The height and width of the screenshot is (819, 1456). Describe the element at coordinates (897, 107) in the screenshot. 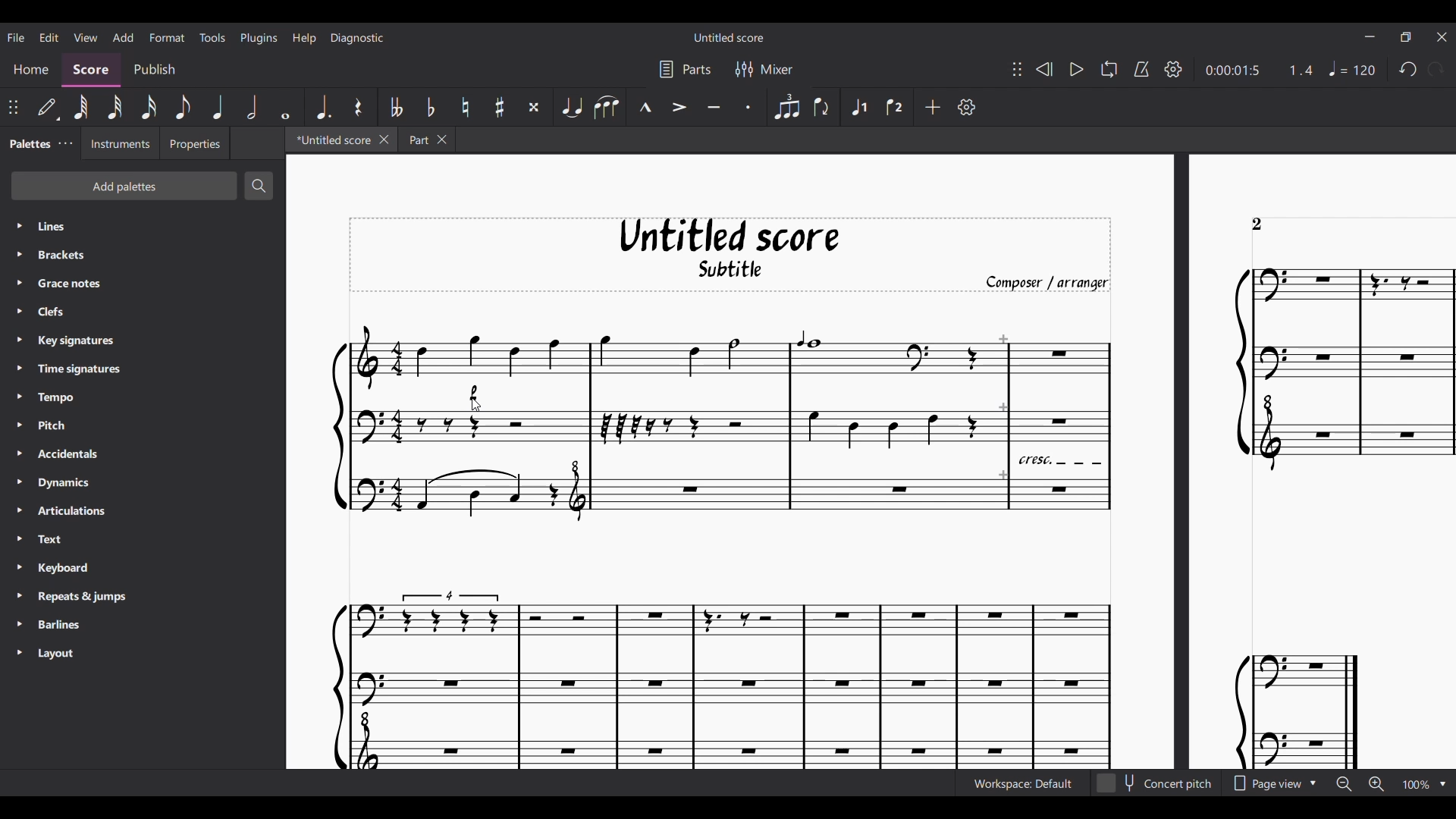

I see `Voice 2` at that location.